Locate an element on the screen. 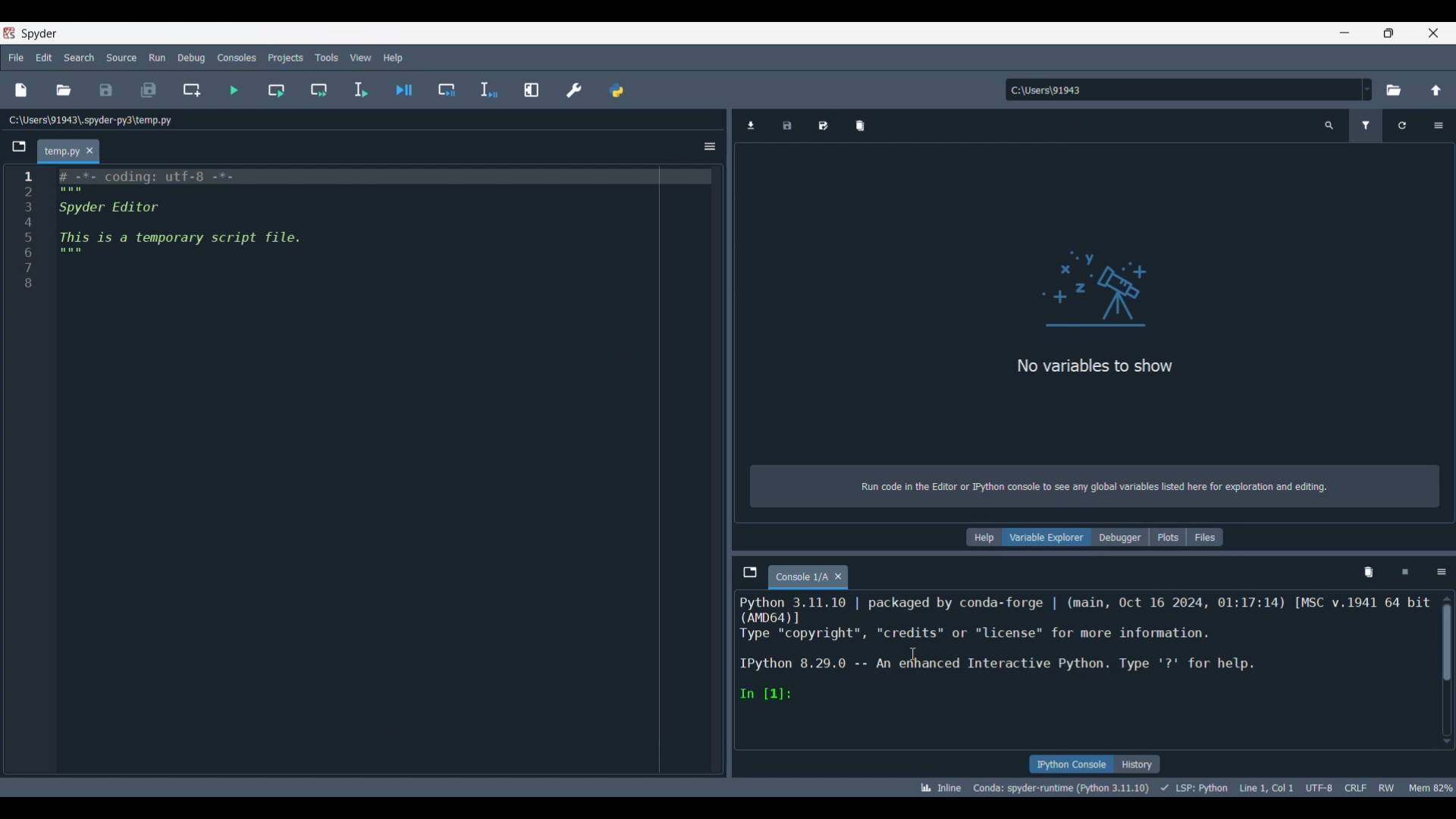 The height and width of the screenshot is (819, 1456). Browse a default directory is located at coordinates (1394, 90).